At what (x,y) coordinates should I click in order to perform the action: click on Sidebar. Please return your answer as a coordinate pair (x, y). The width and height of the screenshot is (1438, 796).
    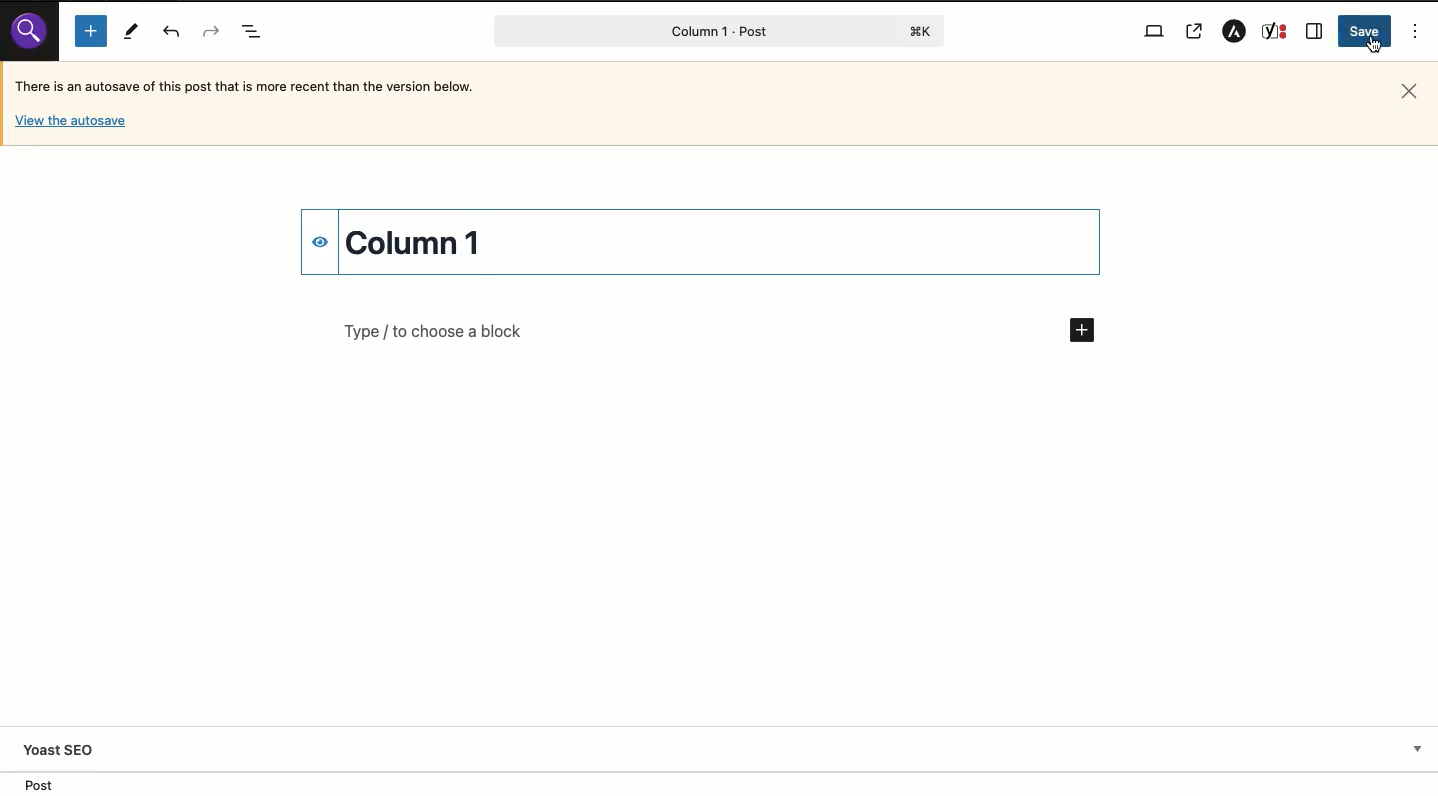
    Looking at the image, I should click on (1315, 32).